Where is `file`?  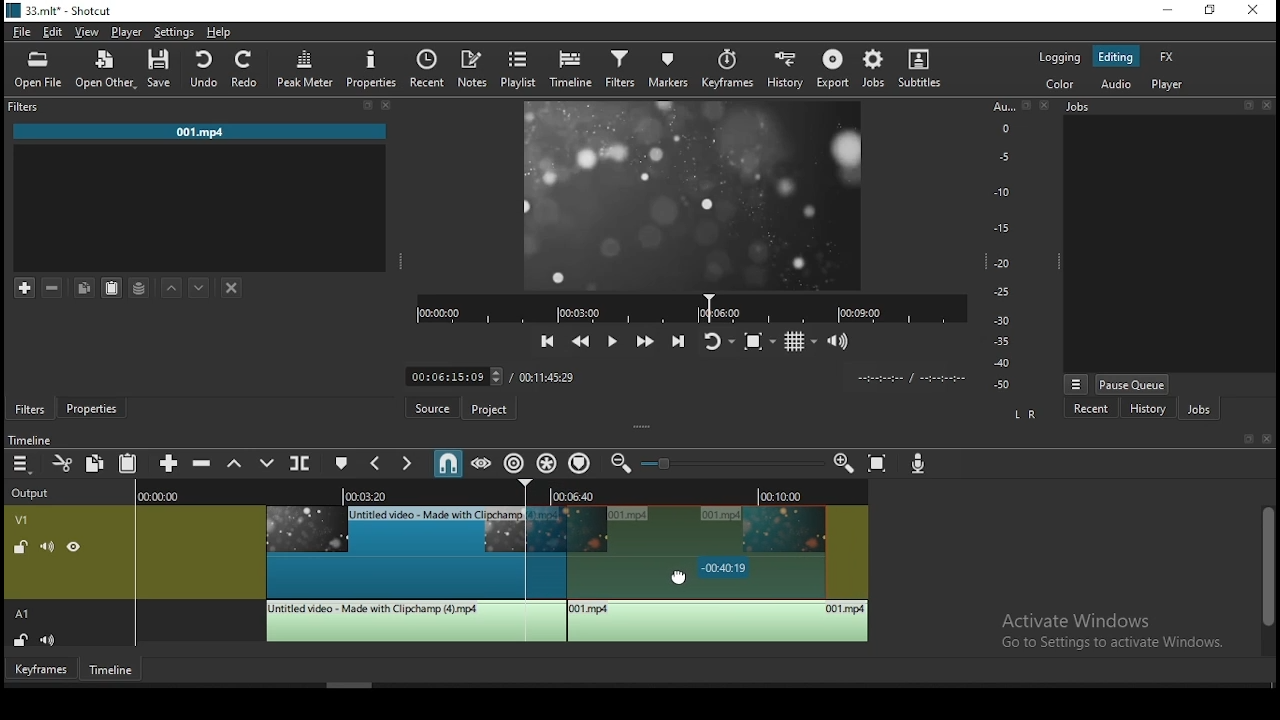 file is located at coordinates (23, 32).